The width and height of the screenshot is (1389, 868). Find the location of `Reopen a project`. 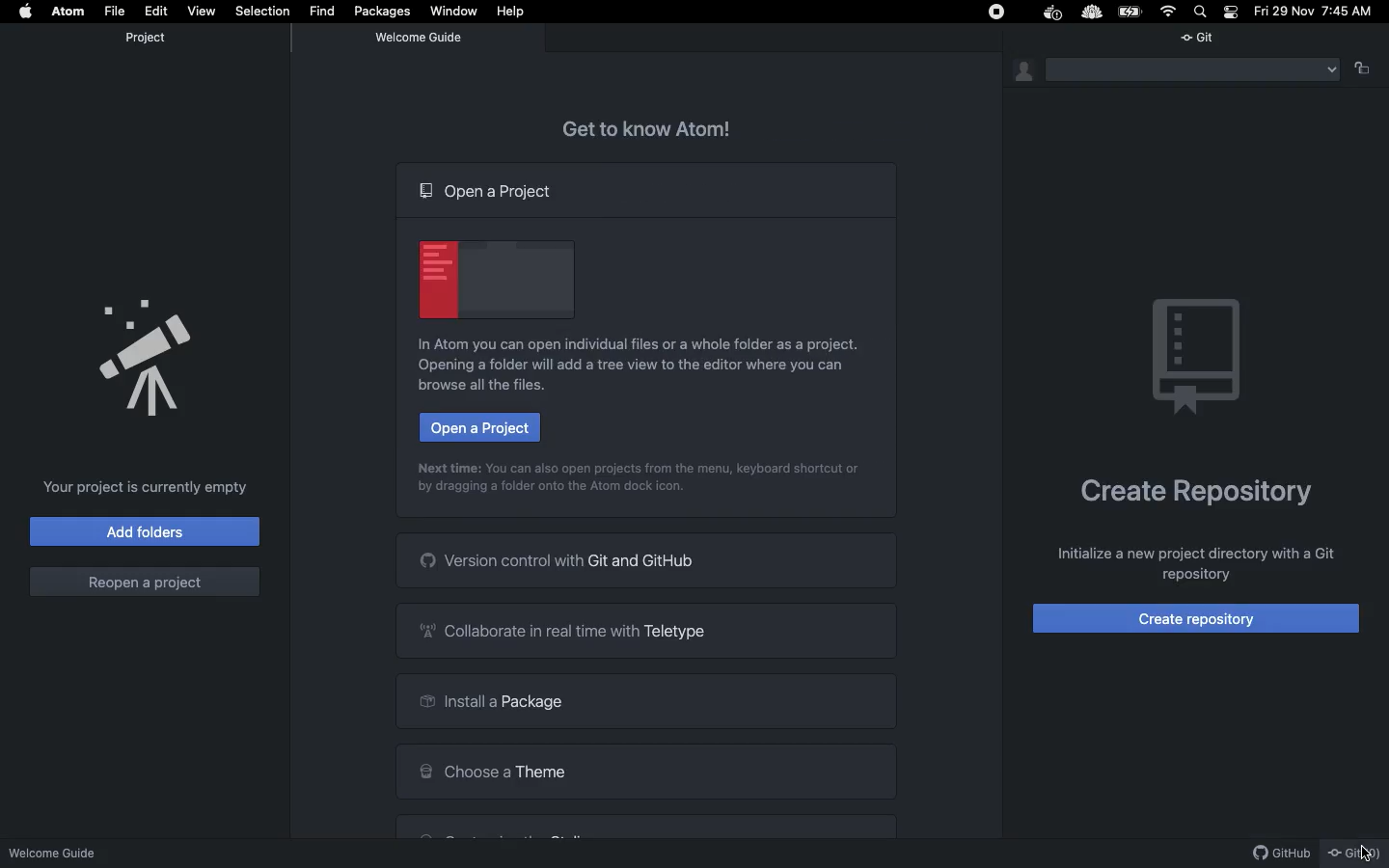

Reopen a project is located at coordinates (145, 581).